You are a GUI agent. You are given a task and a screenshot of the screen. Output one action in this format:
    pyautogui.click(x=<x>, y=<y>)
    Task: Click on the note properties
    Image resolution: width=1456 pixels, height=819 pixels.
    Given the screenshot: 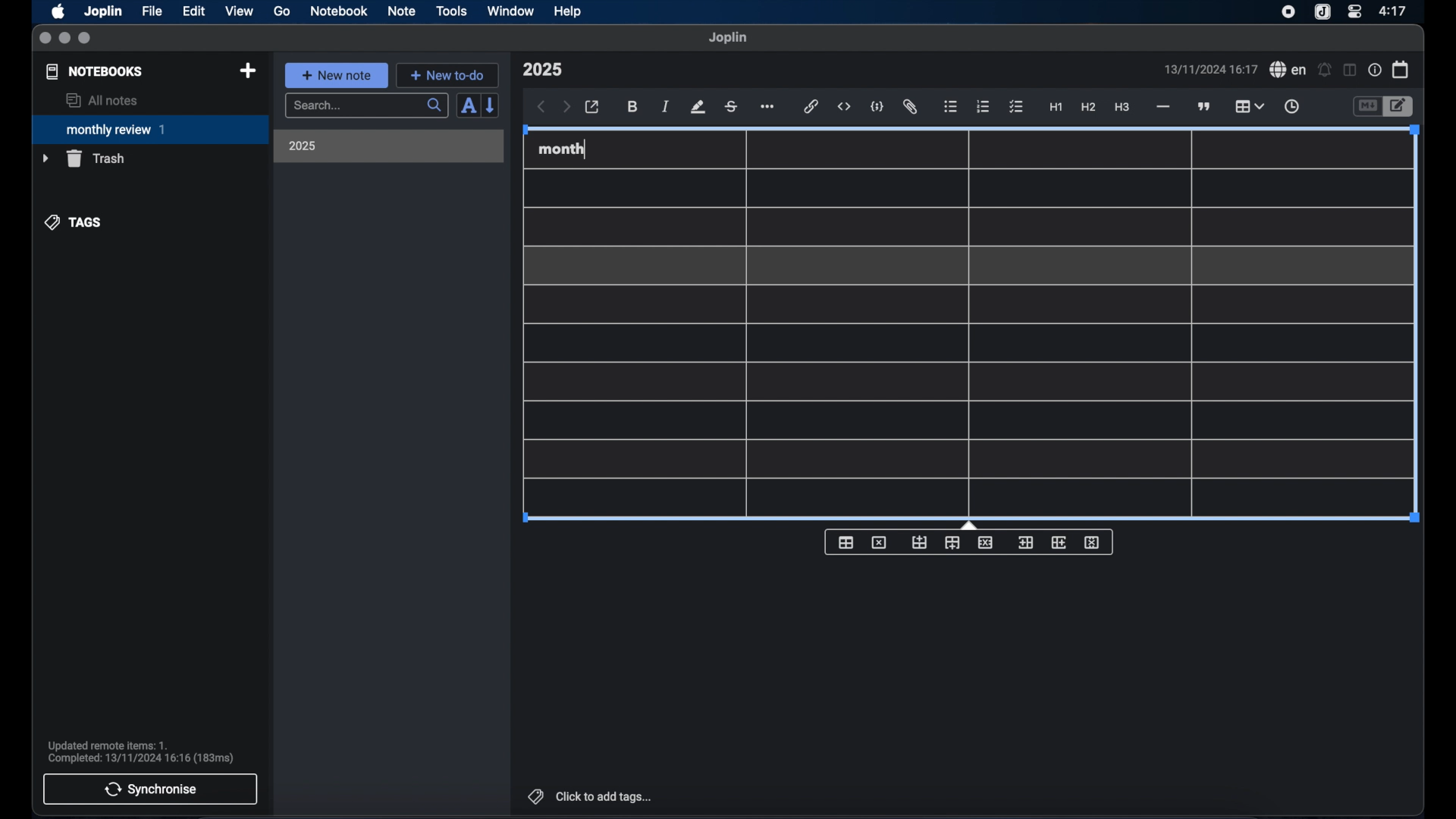 What is the action you would take?
    pyautogui.click(x=1375, y=71)
    